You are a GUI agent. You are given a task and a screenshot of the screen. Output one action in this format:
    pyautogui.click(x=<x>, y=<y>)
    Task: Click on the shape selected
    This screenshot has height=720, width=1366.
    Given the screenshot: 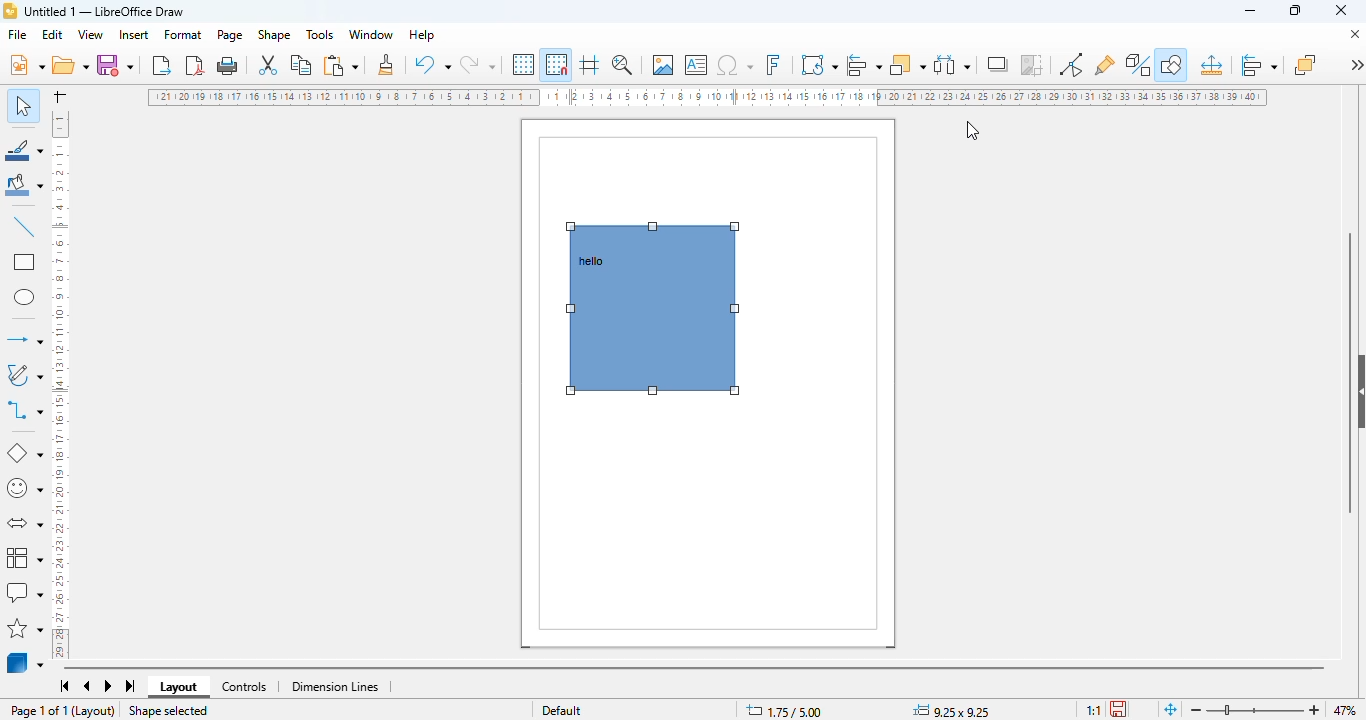 What is the action you would take?
    pyautogui.click(x=167, y=711)
    